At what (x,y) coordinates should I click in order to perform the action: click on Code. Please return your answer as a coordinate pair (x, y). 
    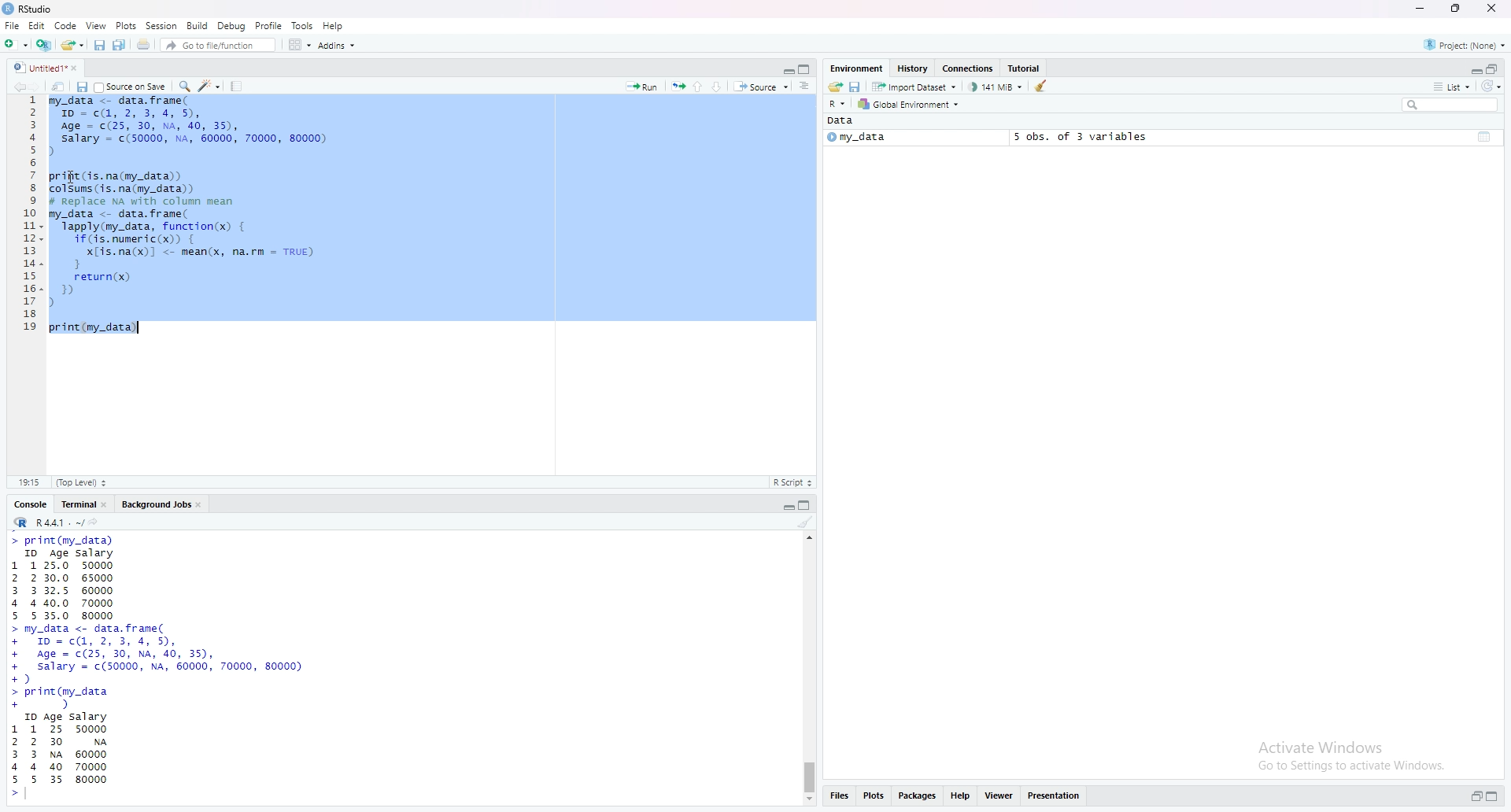
    Looking at the image, I should click on (67, 26).